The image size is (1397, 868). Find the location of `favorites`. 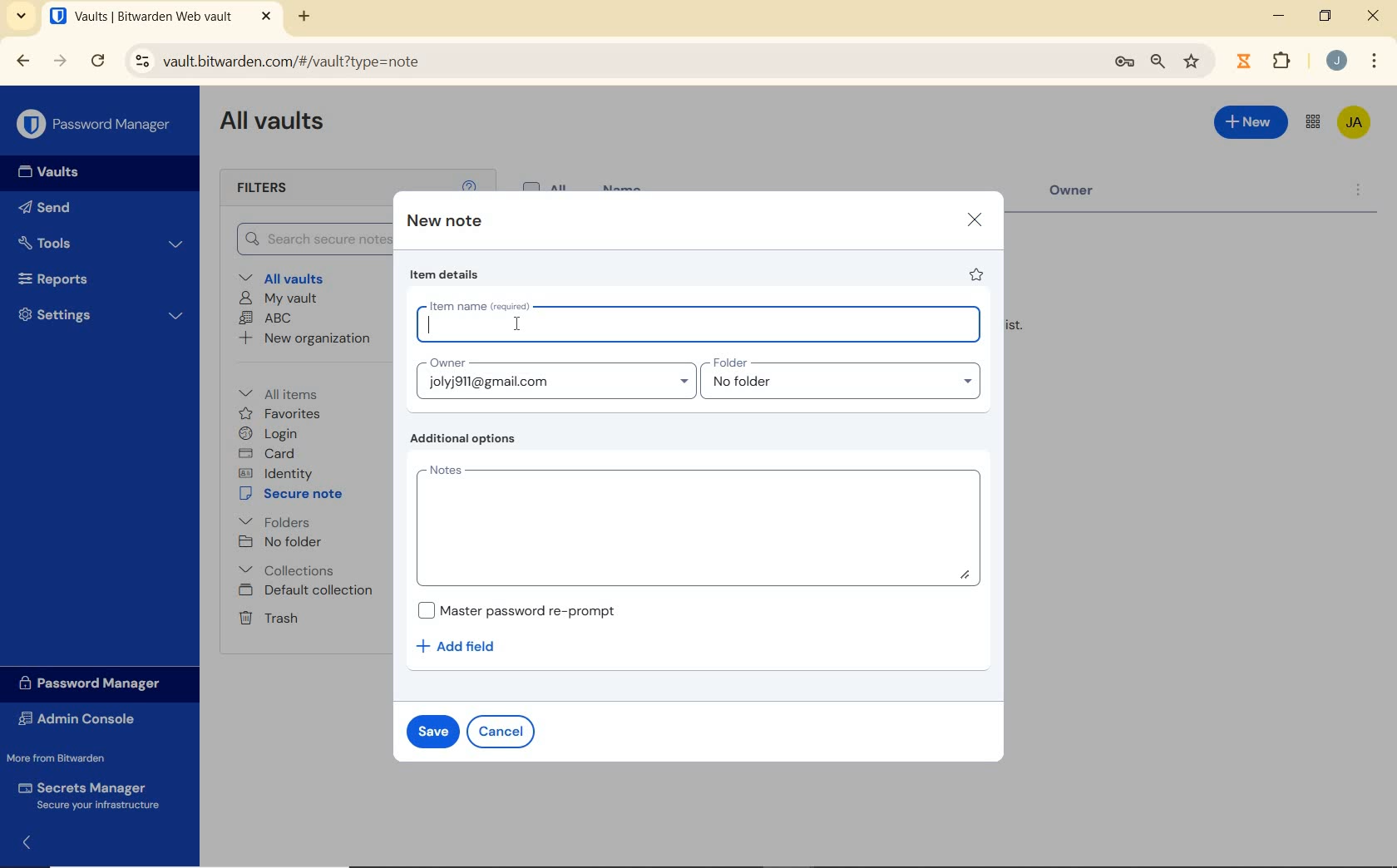

favorites is located at coordinates (280, 414).